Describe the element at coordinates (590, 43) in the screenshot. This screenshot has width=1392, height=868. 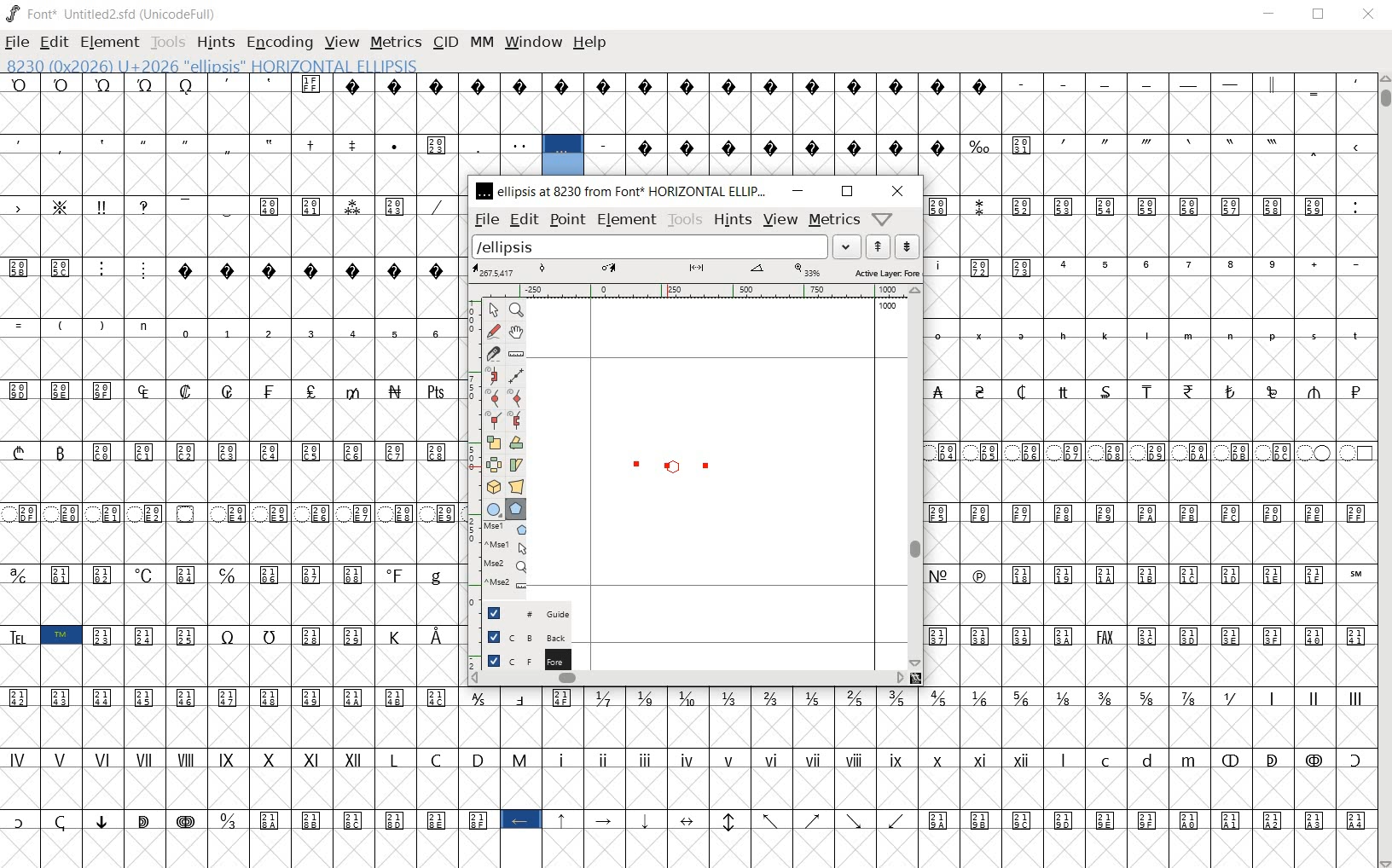
I see `HELP` at that location.